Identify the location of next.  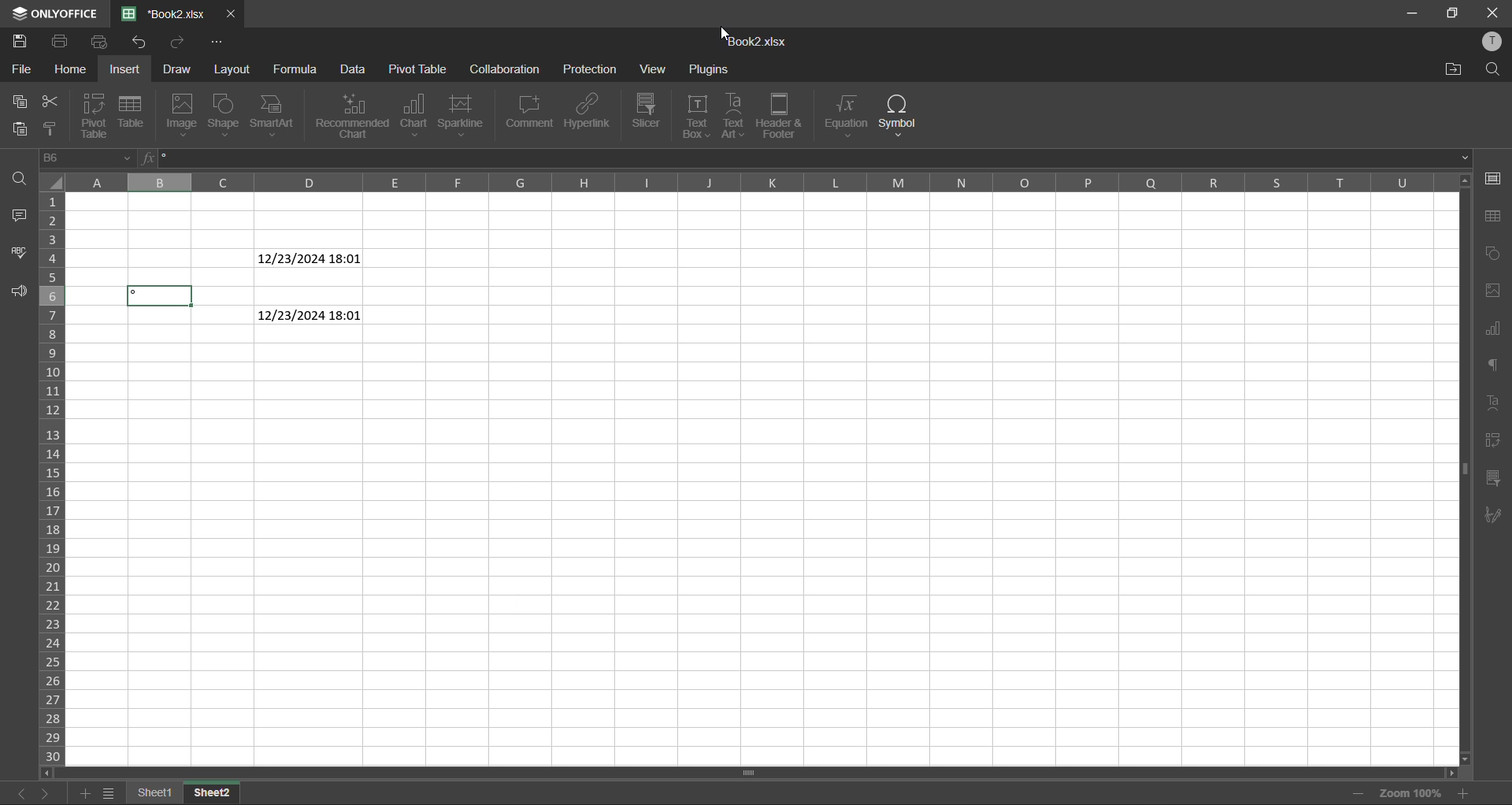
(46, 793).